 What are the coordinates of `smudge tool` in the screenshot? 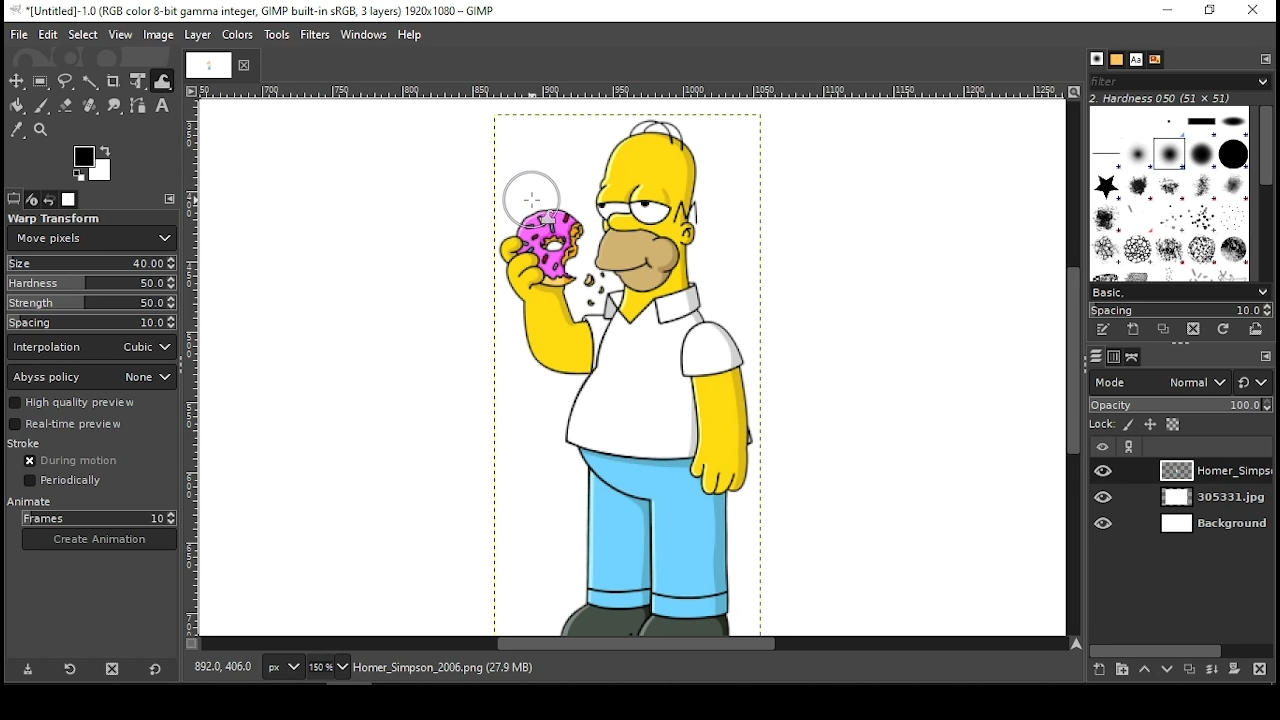 It's located at (115, 105).